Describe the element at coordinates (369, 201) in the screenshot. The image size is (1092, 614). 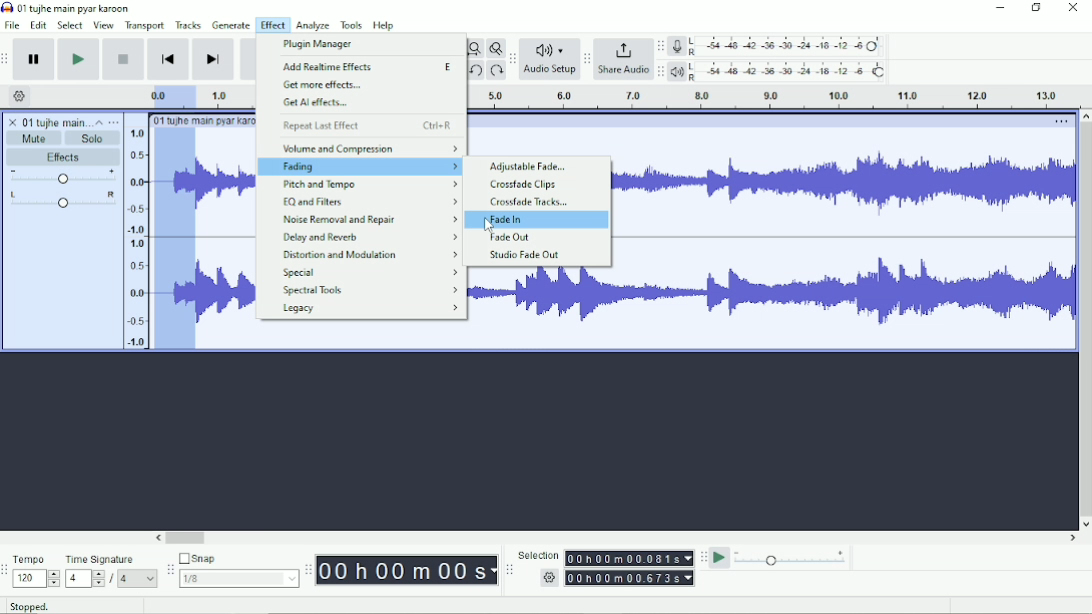
I see `EQ and Filters` at that location.